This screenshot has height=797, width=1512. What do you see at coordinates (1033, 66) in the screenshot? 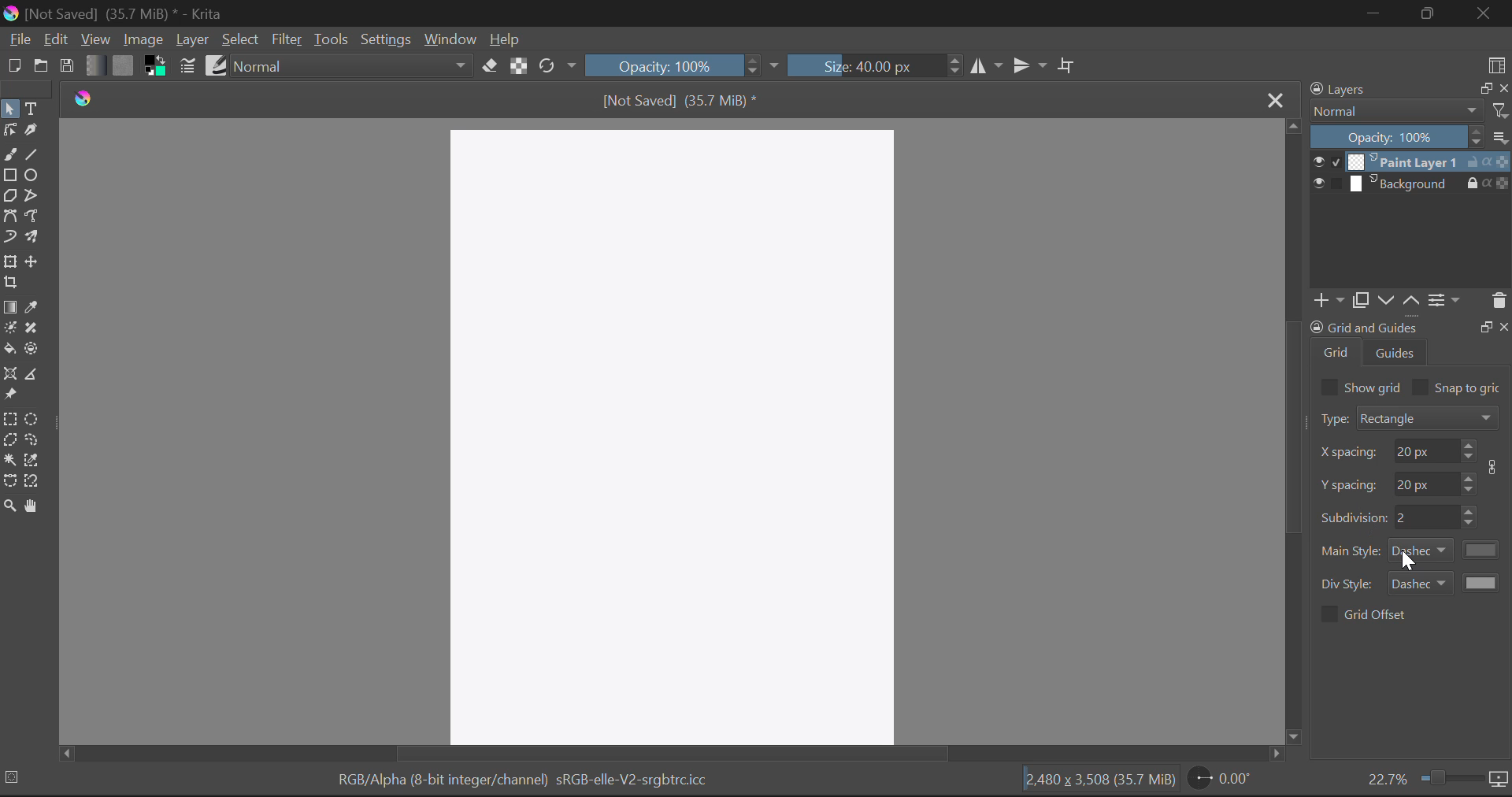
I see `Horizontal Mirror Flip` at bounding box center [1033, 66].